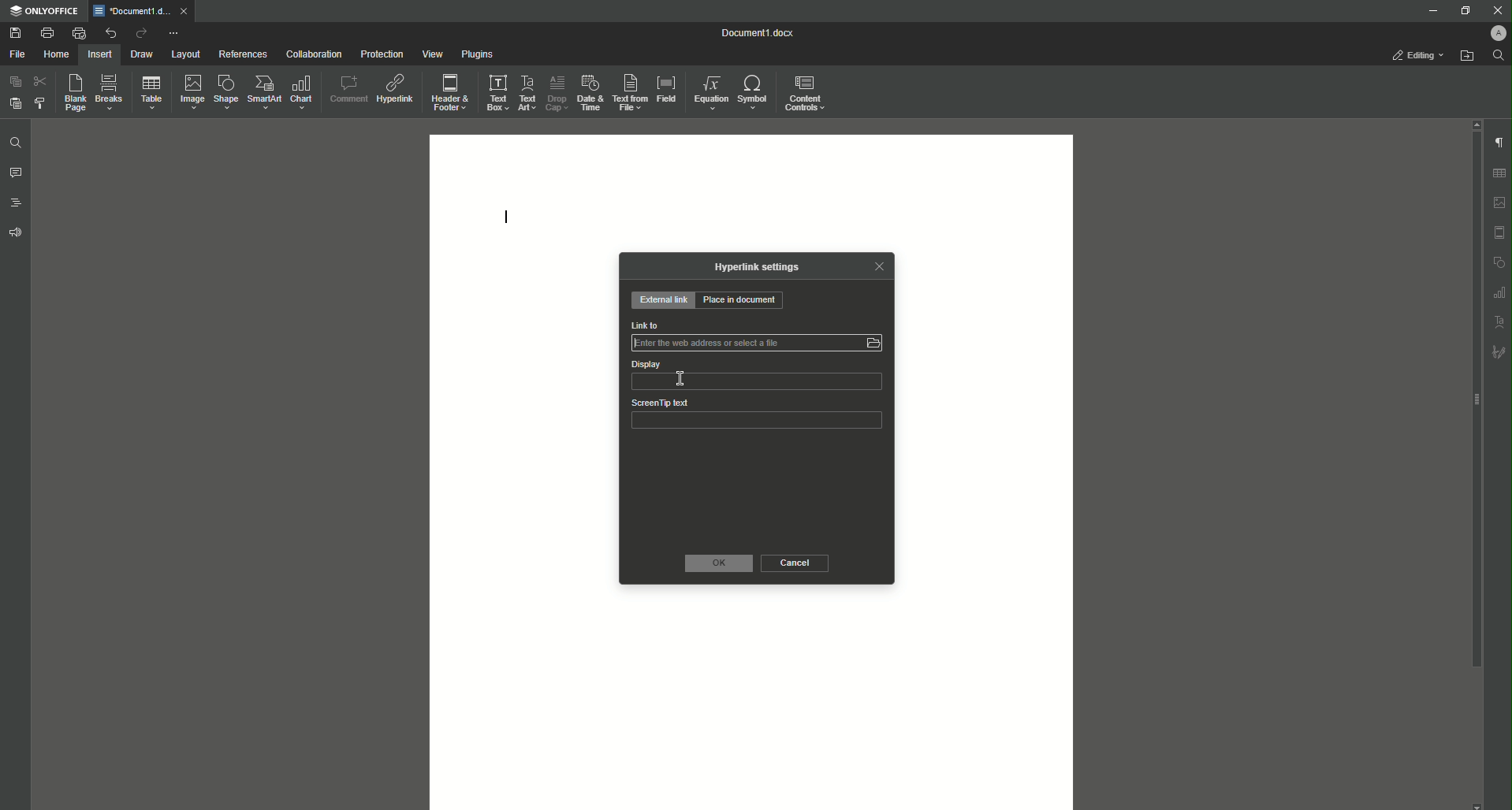 This screenshot has width=1512, height=810. What do you see at coordinates (1463, 12) in the screenshot?
I see `Restore` at bounding box center [1463, 12].